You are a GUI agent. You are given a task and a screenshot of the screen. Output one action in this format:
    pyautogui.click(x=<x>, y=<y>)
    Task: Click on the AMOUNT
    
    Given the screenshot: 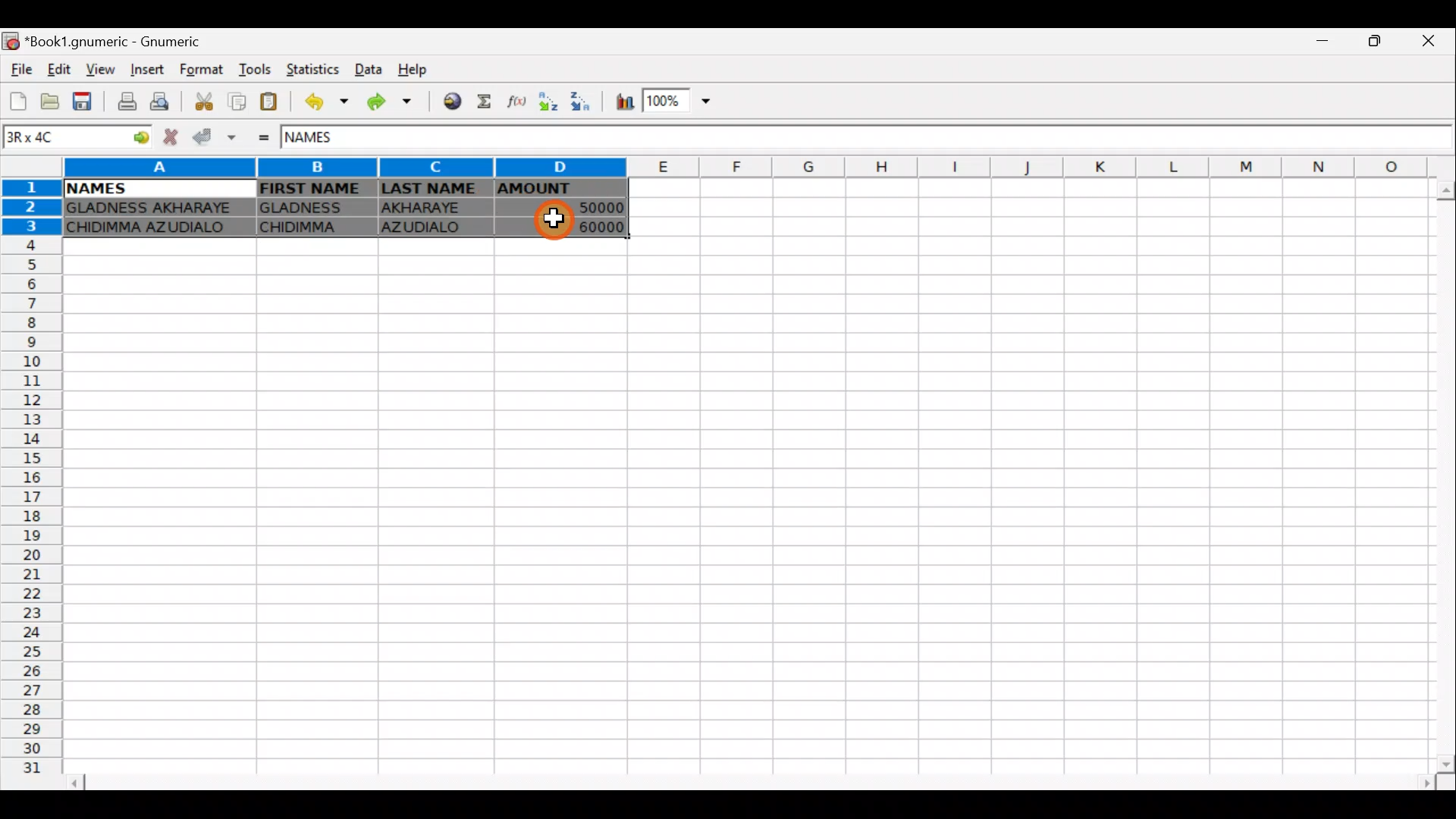 What is the action you would take?
    pyautogui.click(x=558, y=190)
    